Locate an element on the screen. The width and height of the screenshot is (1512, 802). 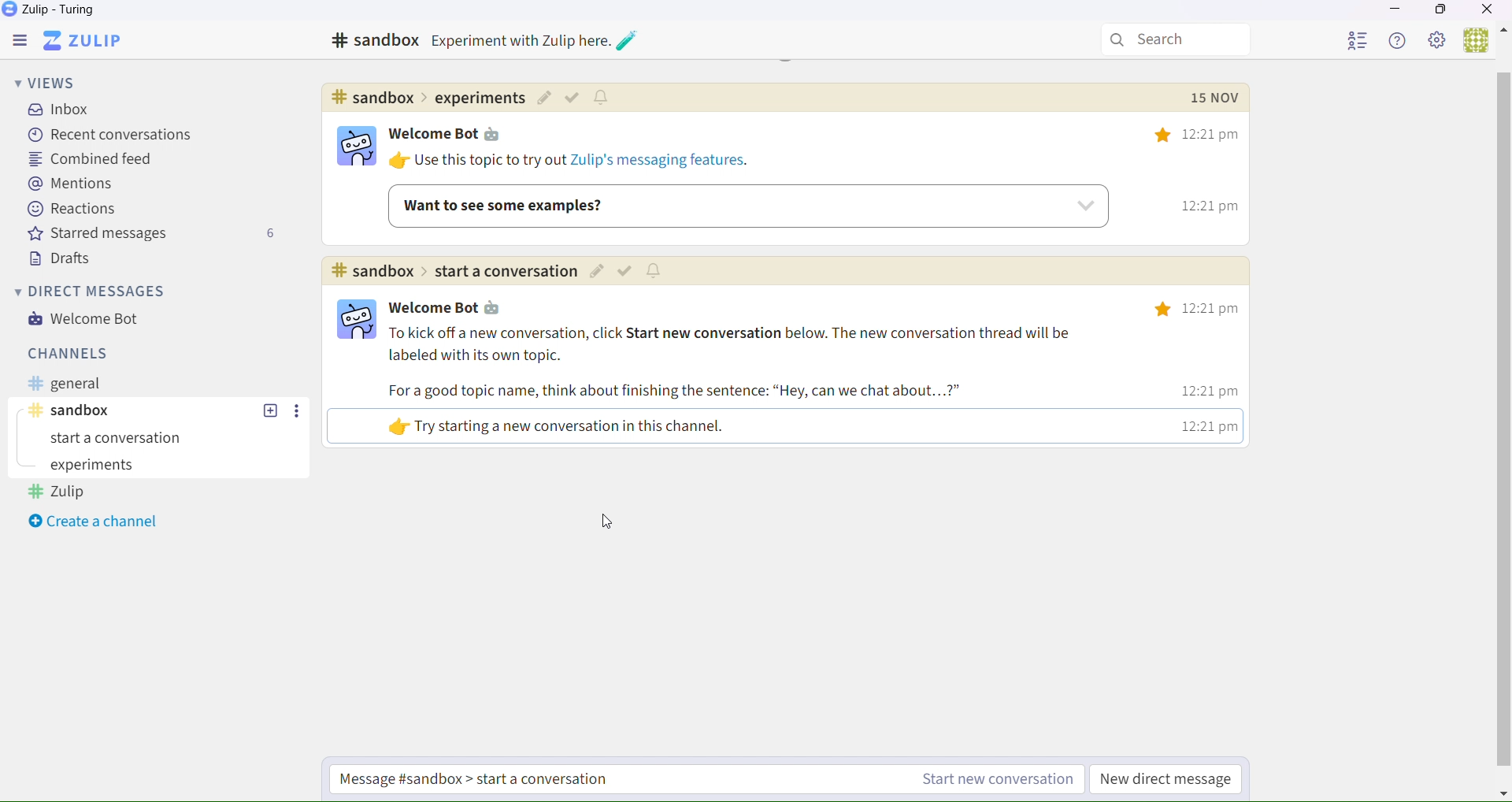
 is located at coordinates (1503, 32).